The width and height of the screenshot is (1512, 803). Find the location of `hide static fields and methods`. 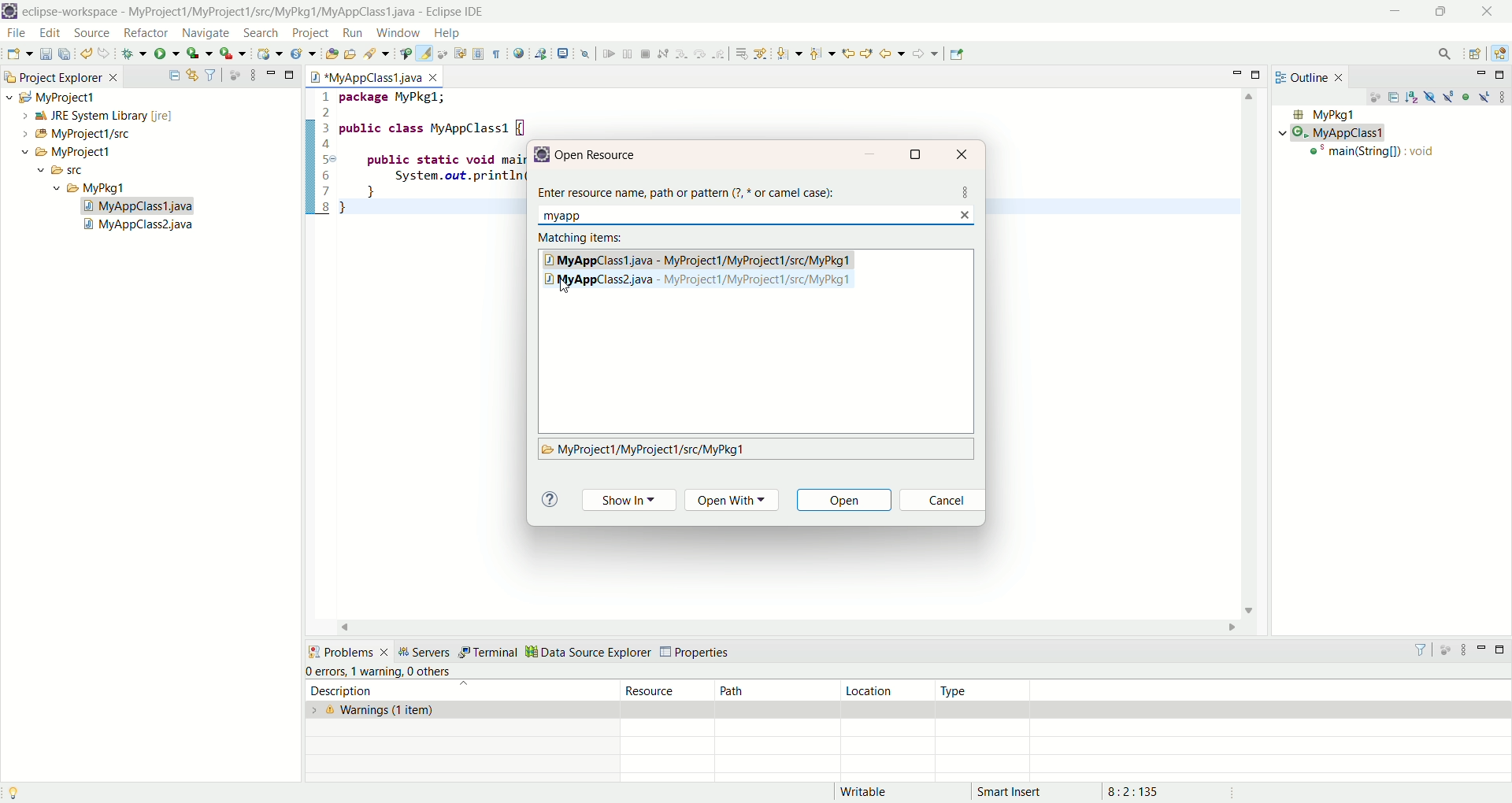

hide static fields and methods is located at coordinates (1449, 98).